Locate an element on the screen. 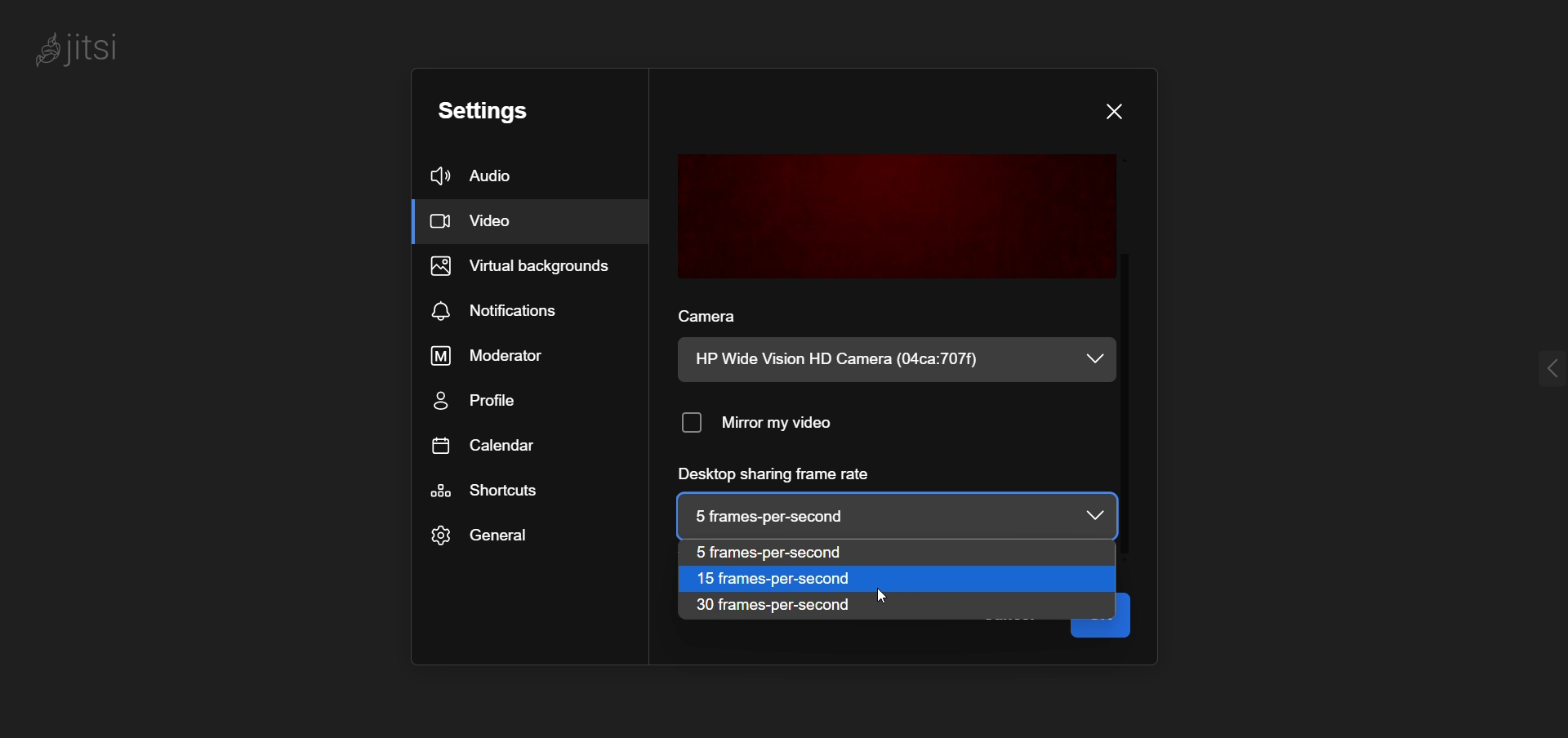  setting is located at coordinates (506, 111).